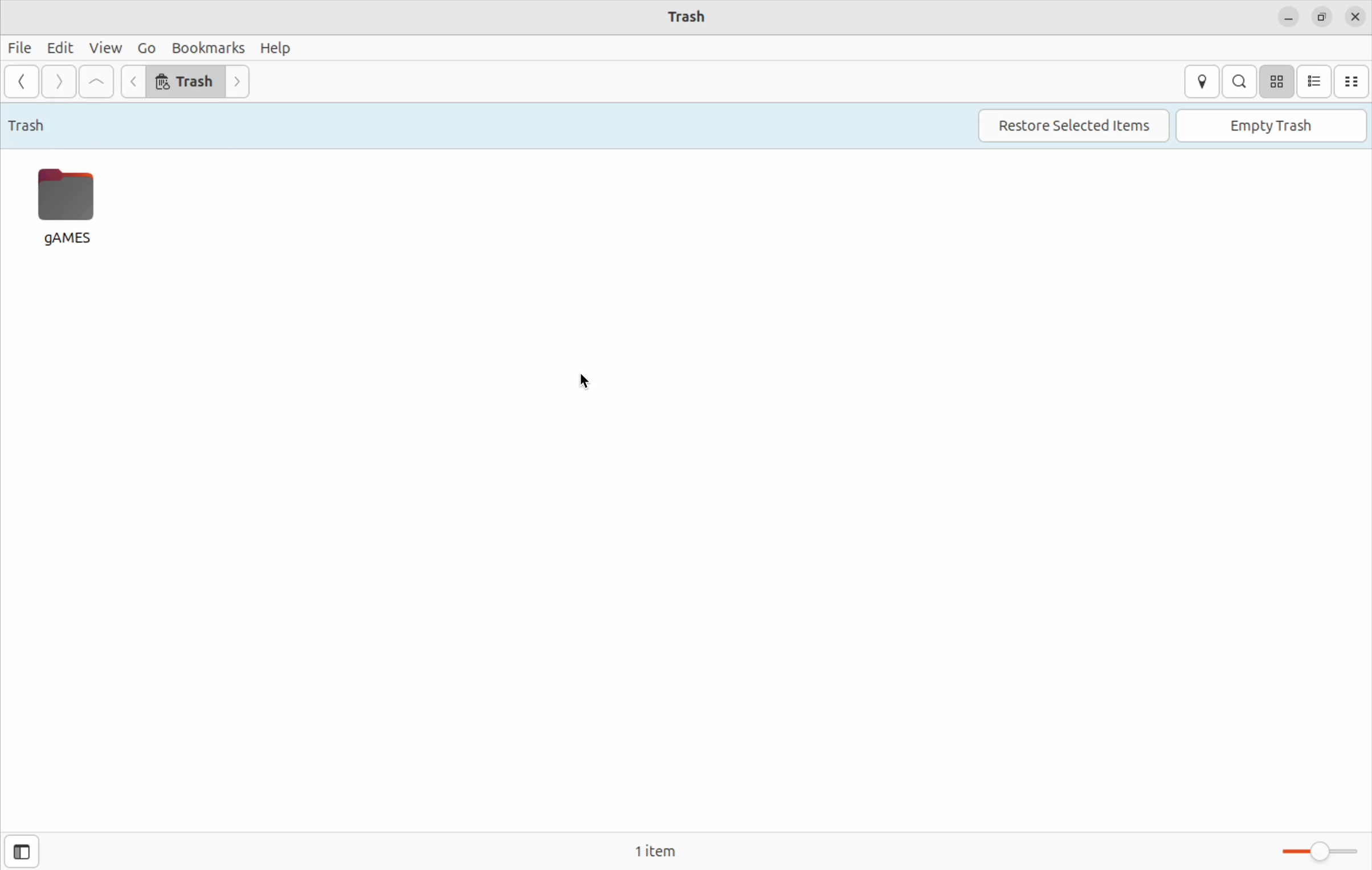 This screenshot has height=870, width=1372. Describe the element at coordinates (132, 80) in the screenshot. I see `go back` at that location.